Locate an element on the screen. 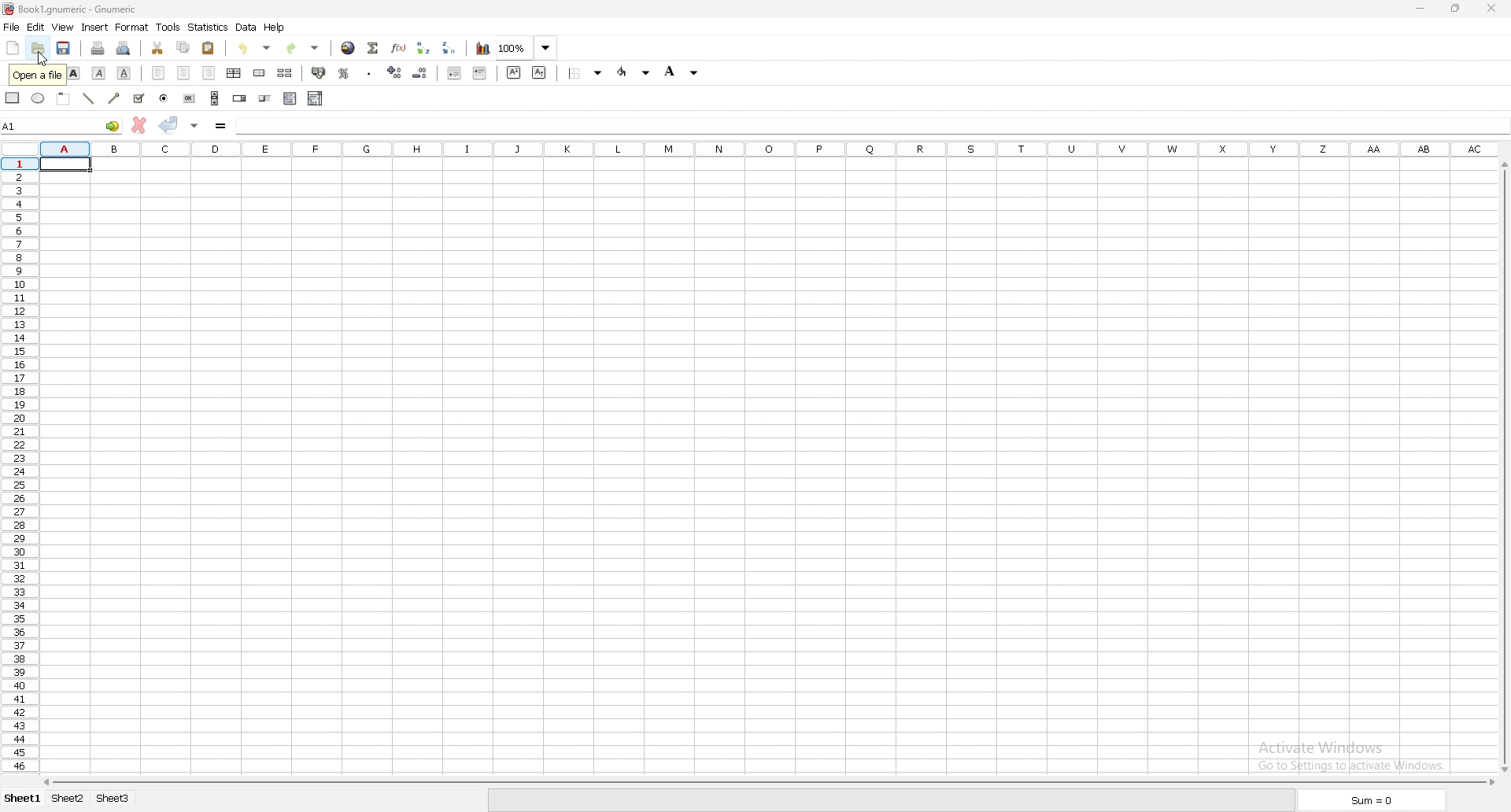 The image size is (1511, 812). spin button is located at coordinates (241, 98).